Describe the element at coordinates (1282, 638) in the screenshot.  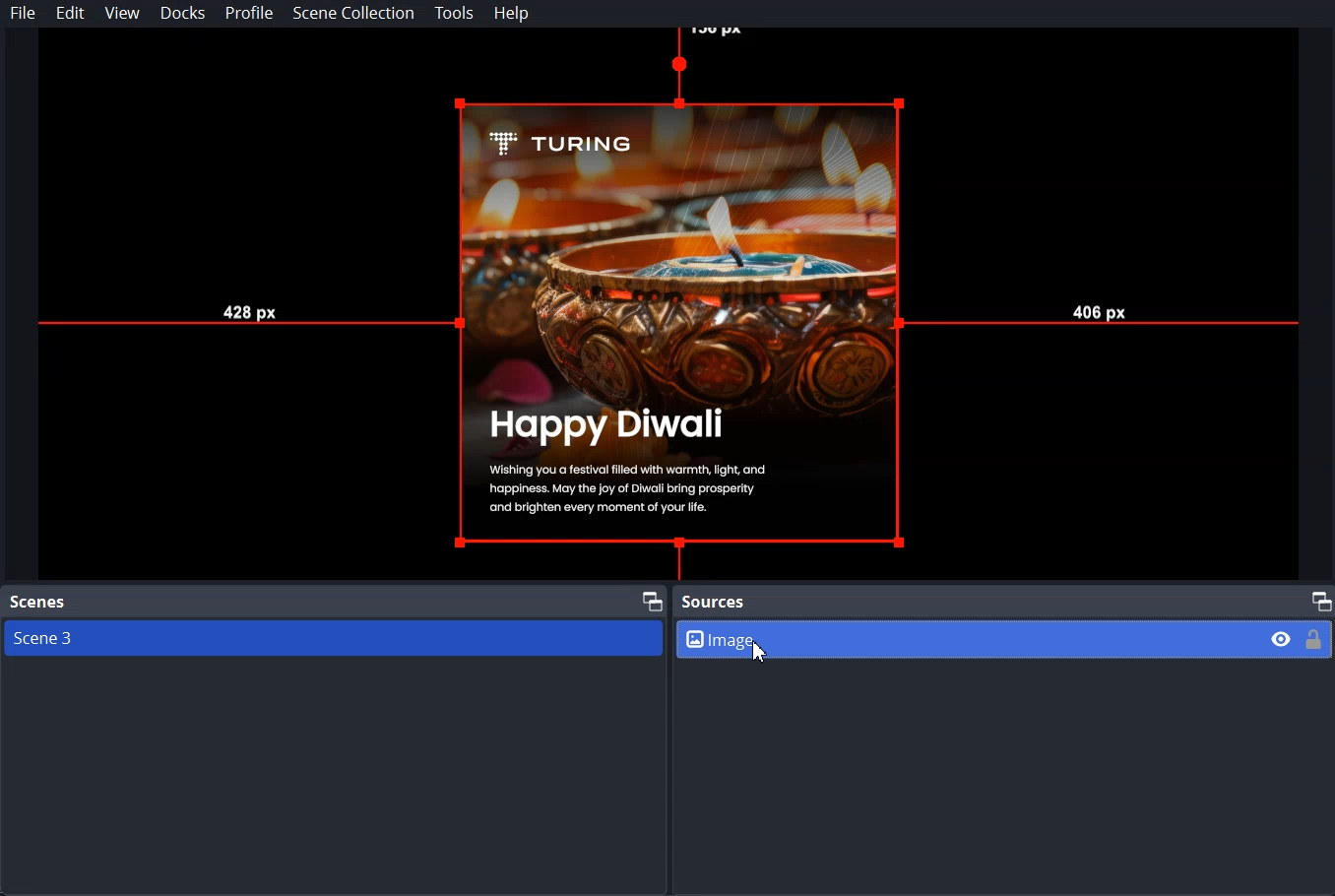
I see `Eye` at that location.